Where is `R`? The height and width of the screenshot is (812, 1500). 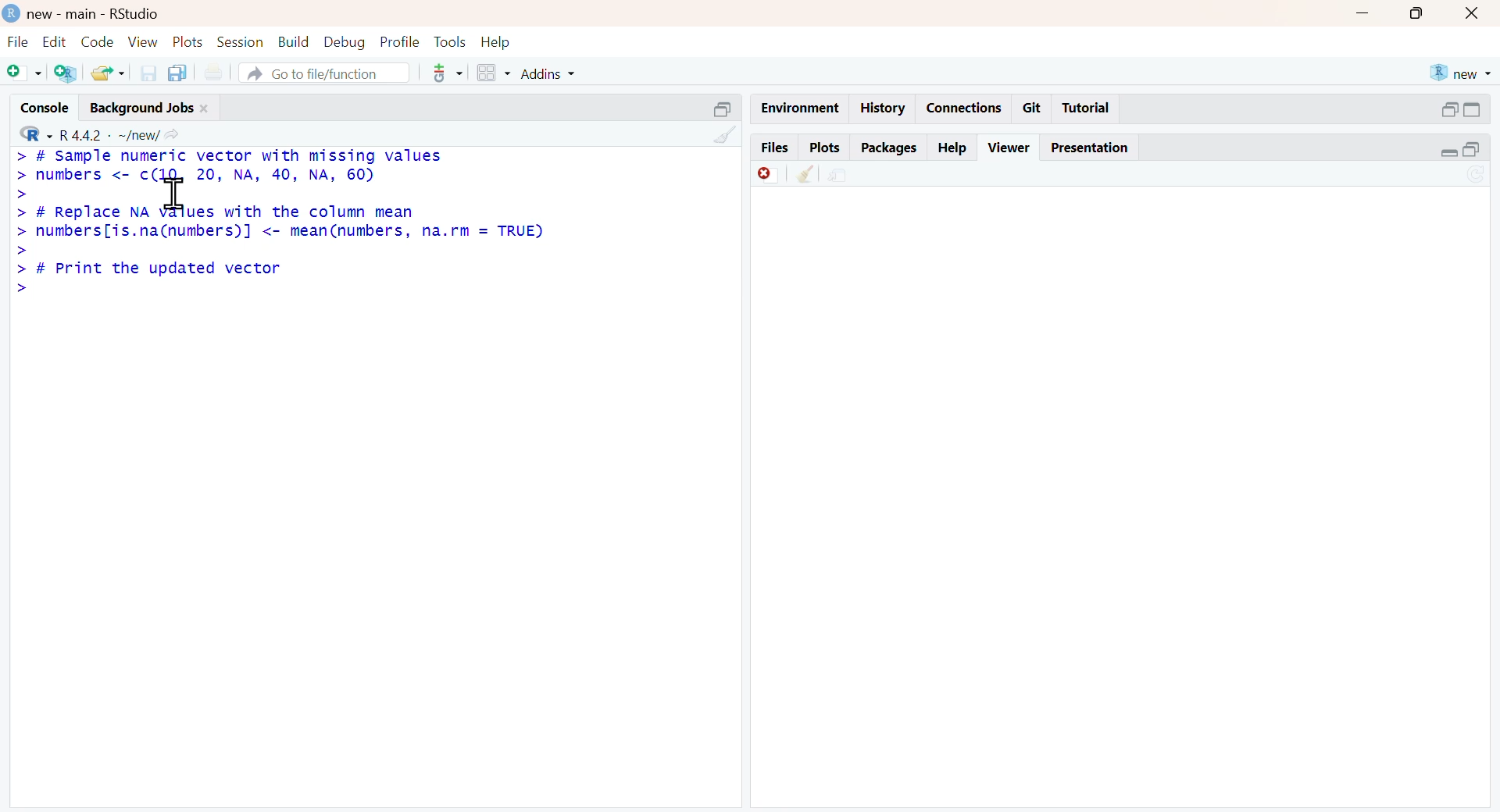 R is located at coordinates (37, 134).